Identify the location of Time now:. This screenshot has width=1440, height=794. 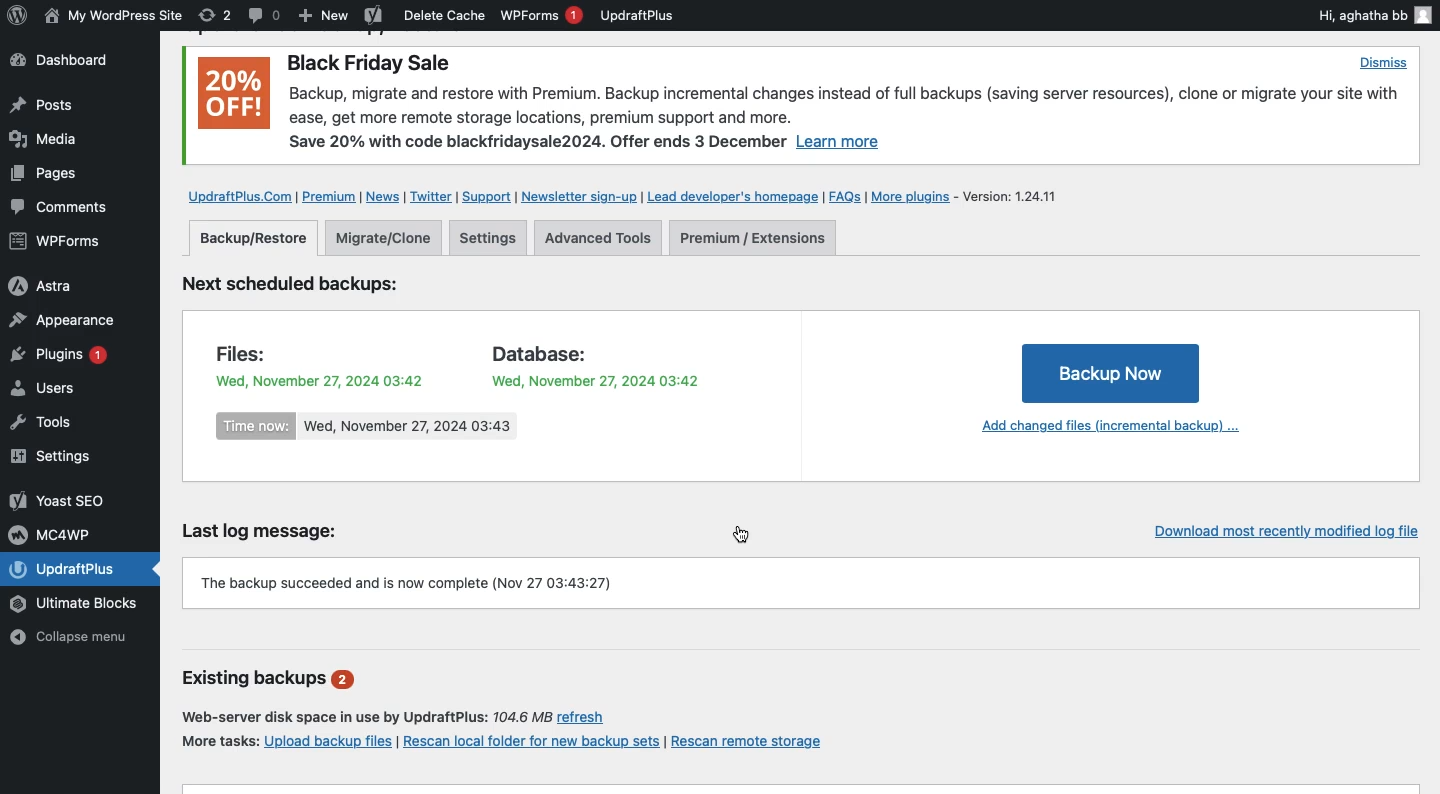
(257, 426).